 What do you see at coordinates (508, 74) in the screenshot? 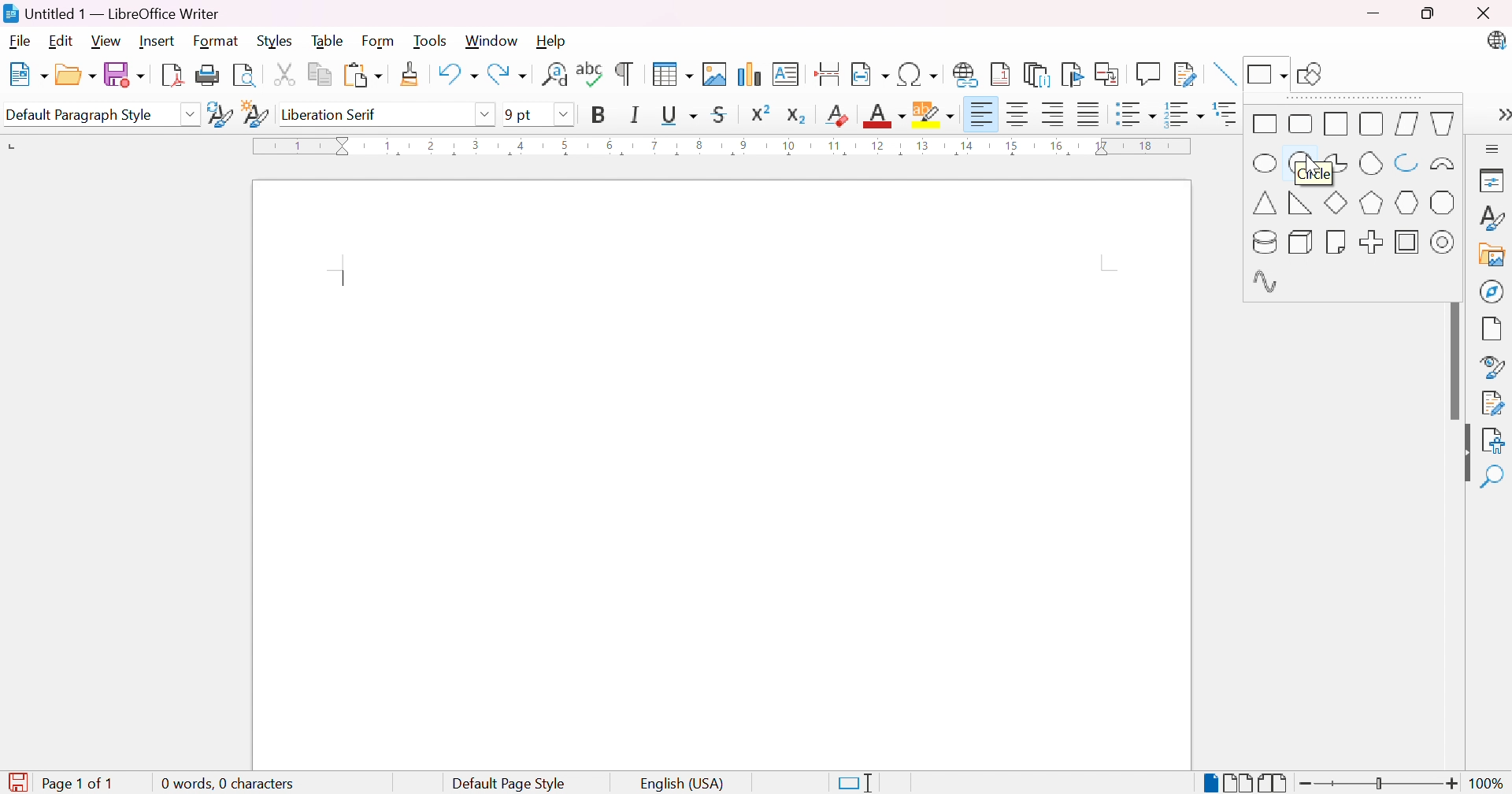
I see `Redo` at bounding box center [508, 74].